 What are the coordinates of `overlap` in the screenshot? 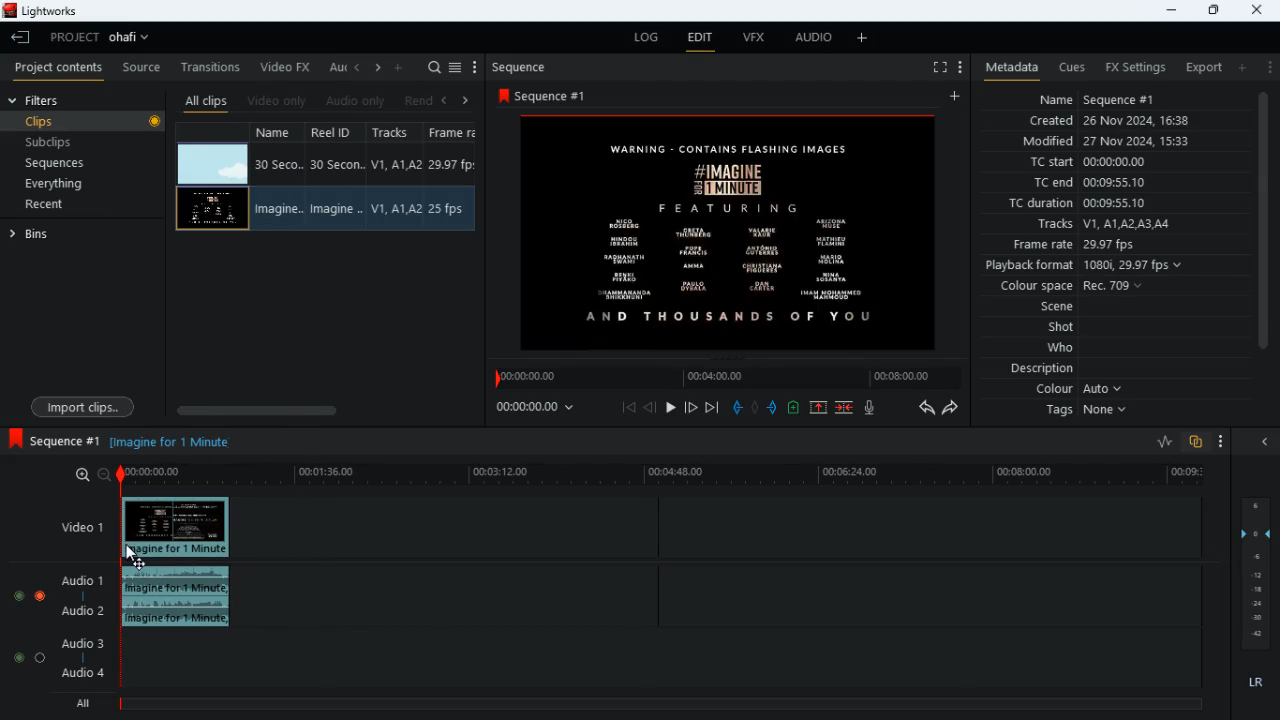 It's located at (1193, 442).